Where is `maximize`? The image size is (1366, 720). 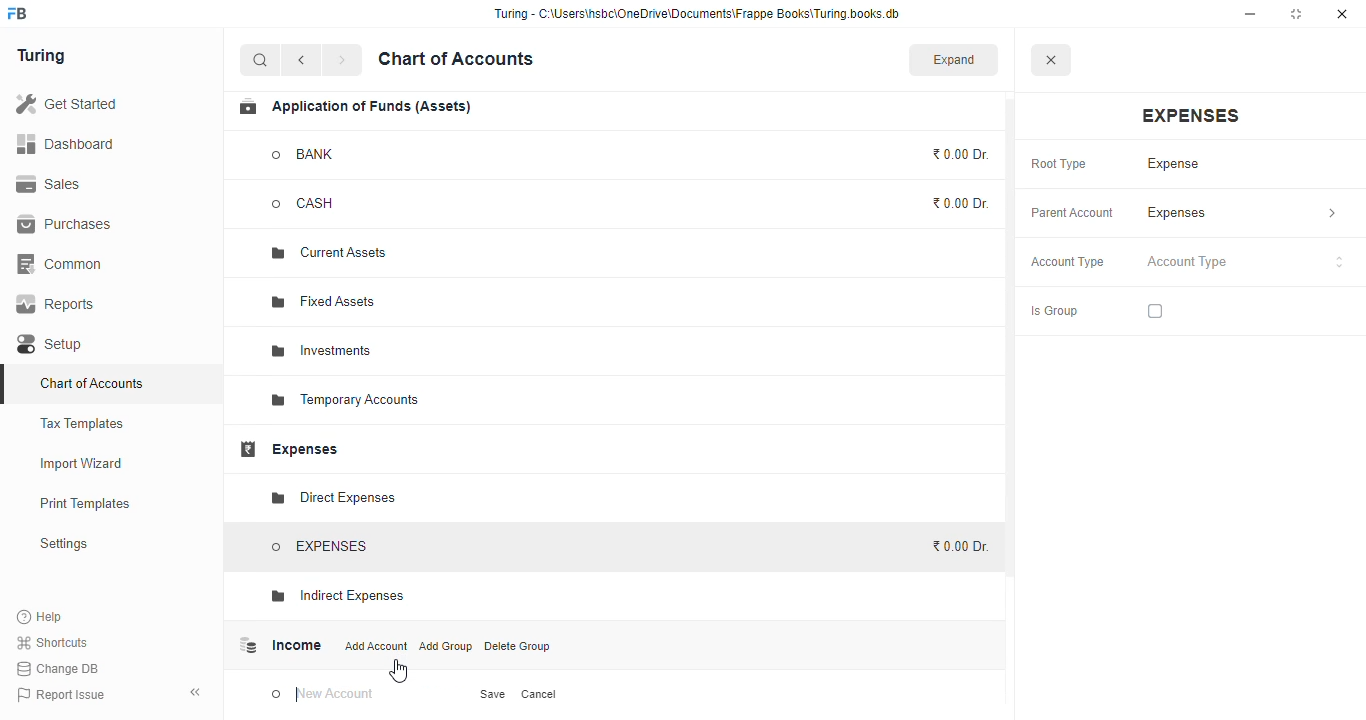 maximize is located at coordinates (1296, 14).